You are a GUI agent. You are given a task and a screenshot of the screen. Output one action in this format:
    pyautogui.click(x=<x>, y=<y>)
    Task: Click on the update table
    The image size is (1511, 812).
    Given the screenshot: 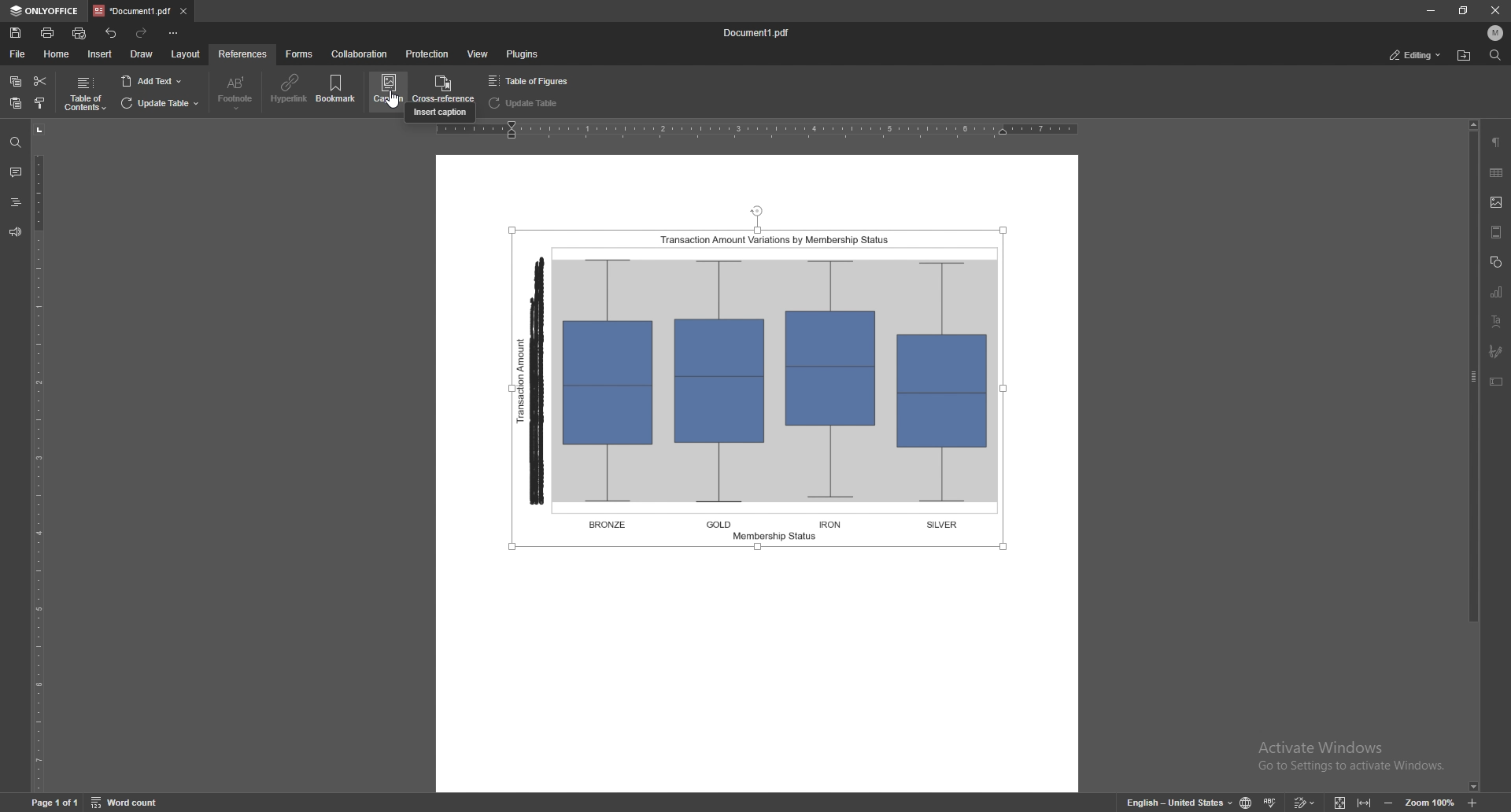 What is the action you would take?
    pyautogui.click(x=526, y=103)
    